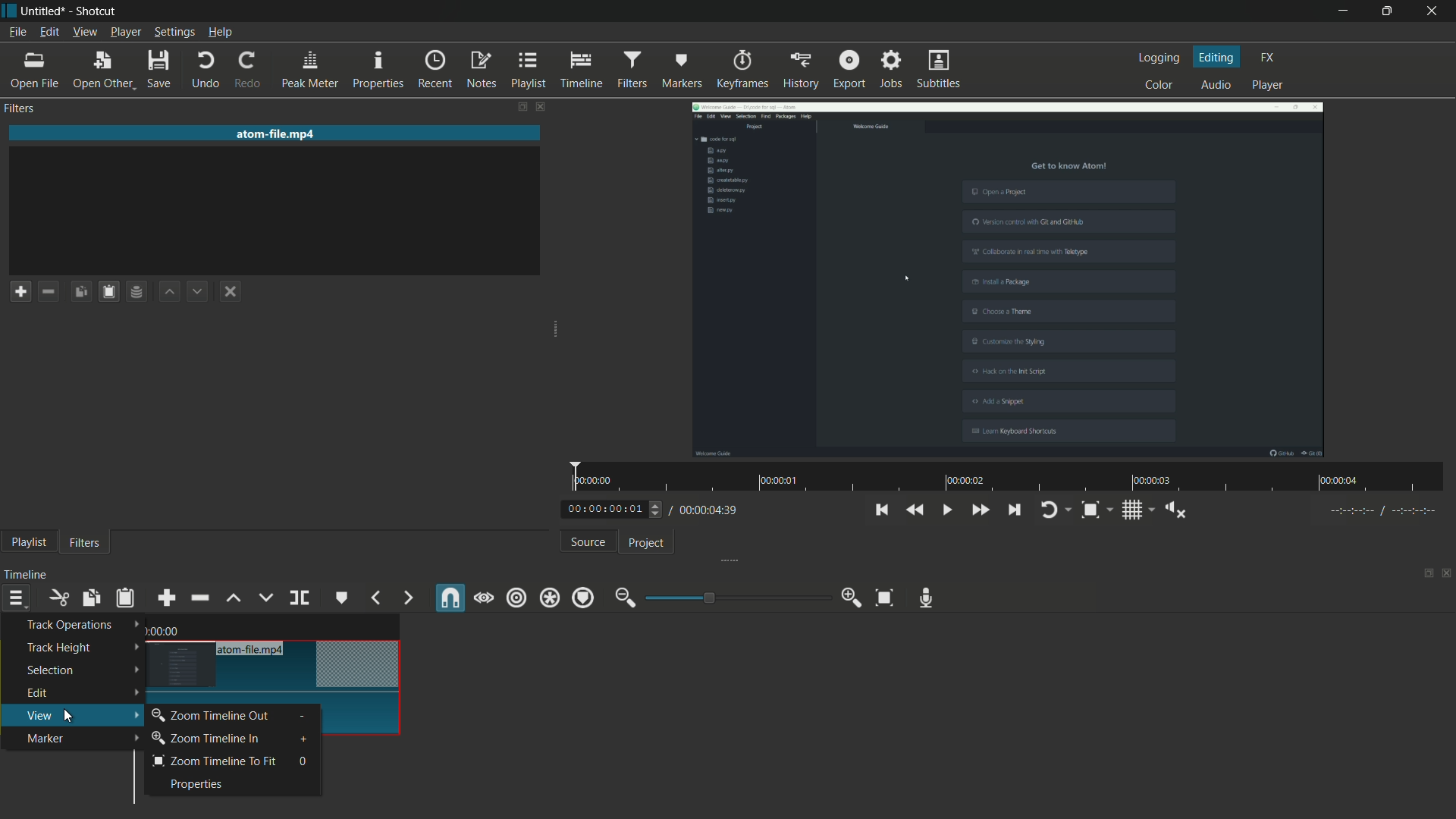 Image resolution: width=1456 pixels, height=819 pixels. I want to click on skip to the next point, so click(1013, 509).